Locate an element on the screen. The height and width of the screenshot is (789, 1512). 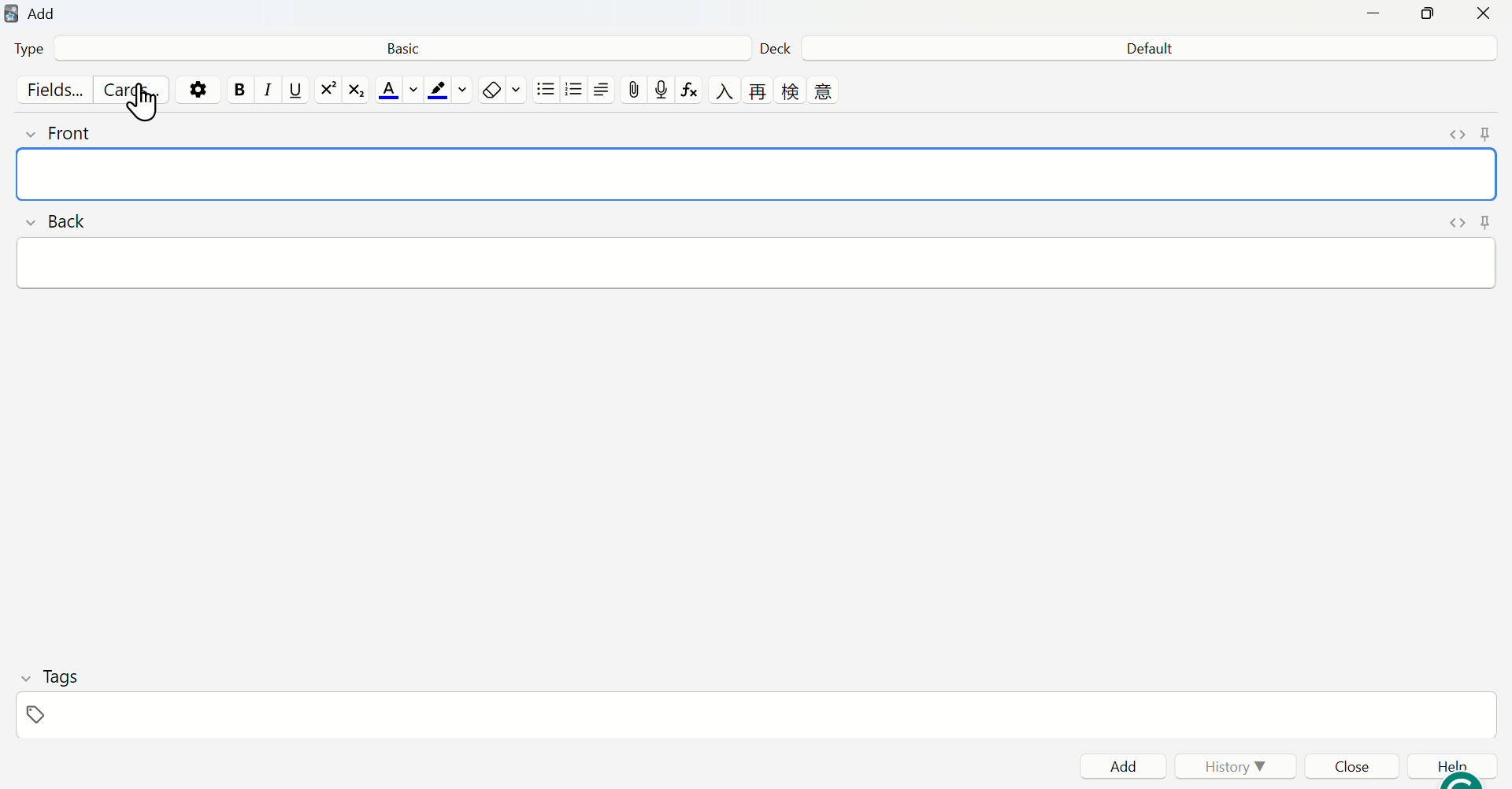
Attach pictures/videos/audio is located at coordinates (631, 90).